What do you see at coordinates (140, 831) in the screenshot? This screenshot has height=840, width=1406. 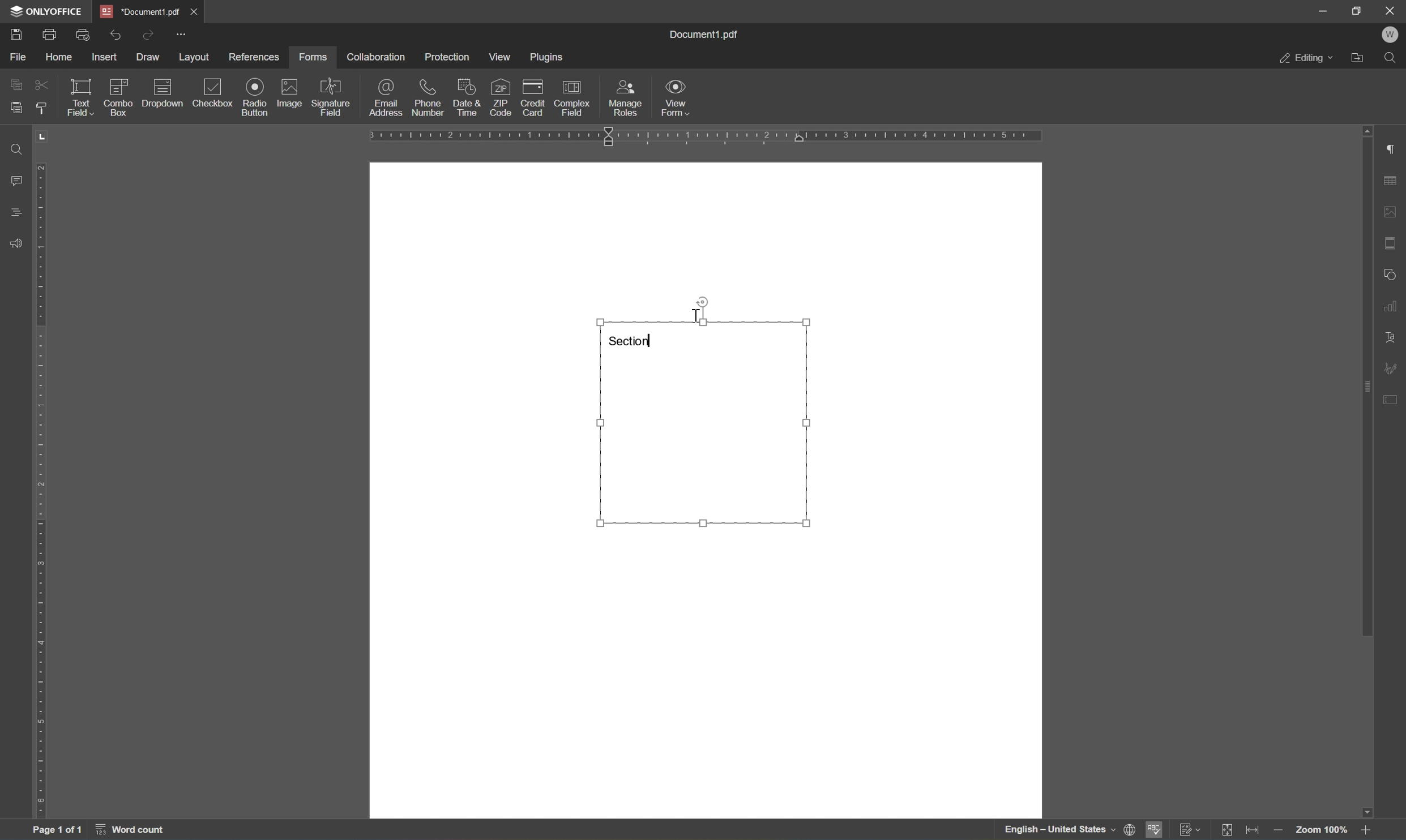 I see `word count` at bounding box center [140, 831].